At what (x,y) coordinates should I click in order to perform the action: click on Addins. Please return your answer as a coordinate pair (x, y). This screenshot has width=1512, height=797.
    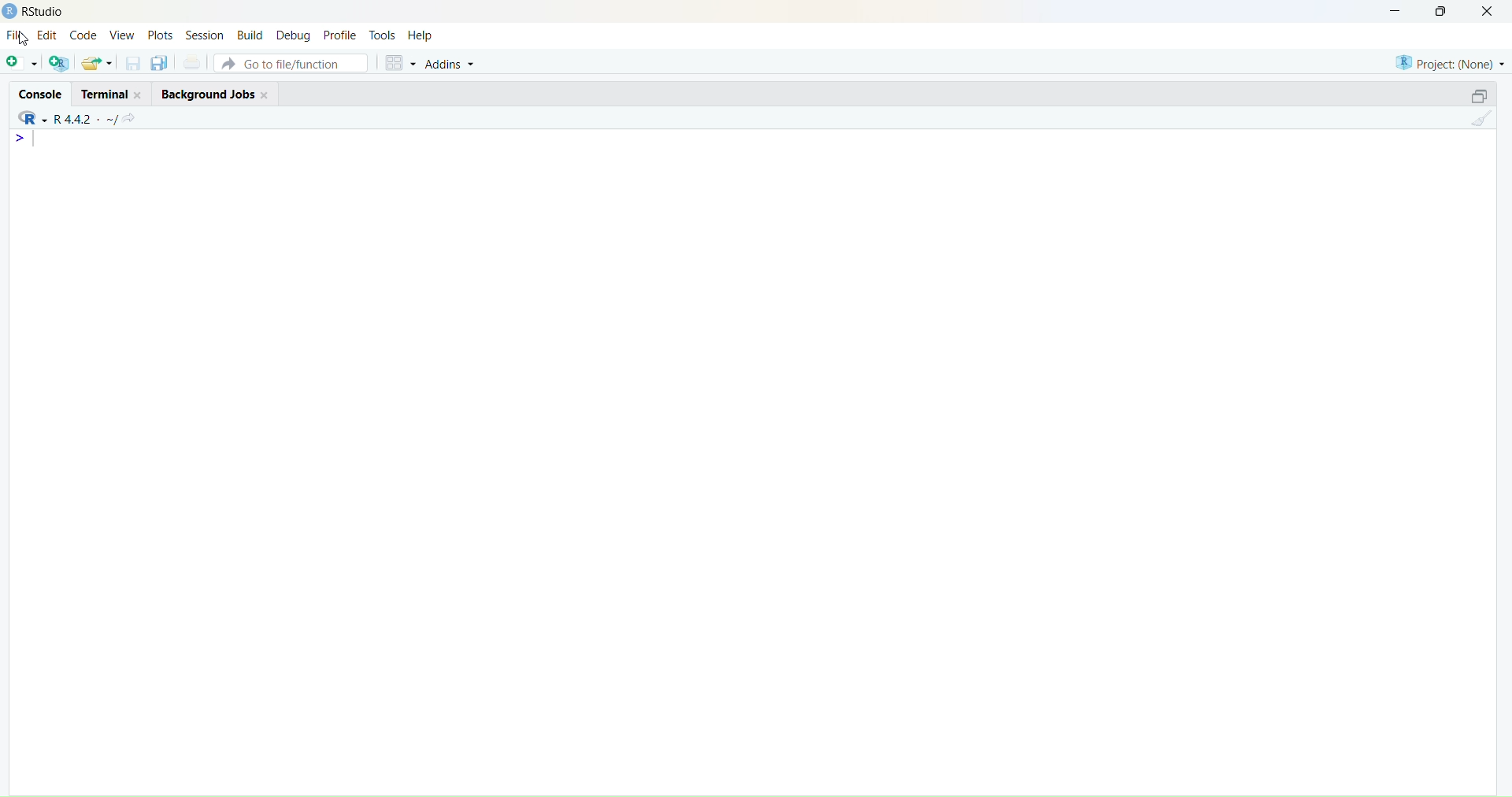
    Looking at the image, I should click on (451, 64).